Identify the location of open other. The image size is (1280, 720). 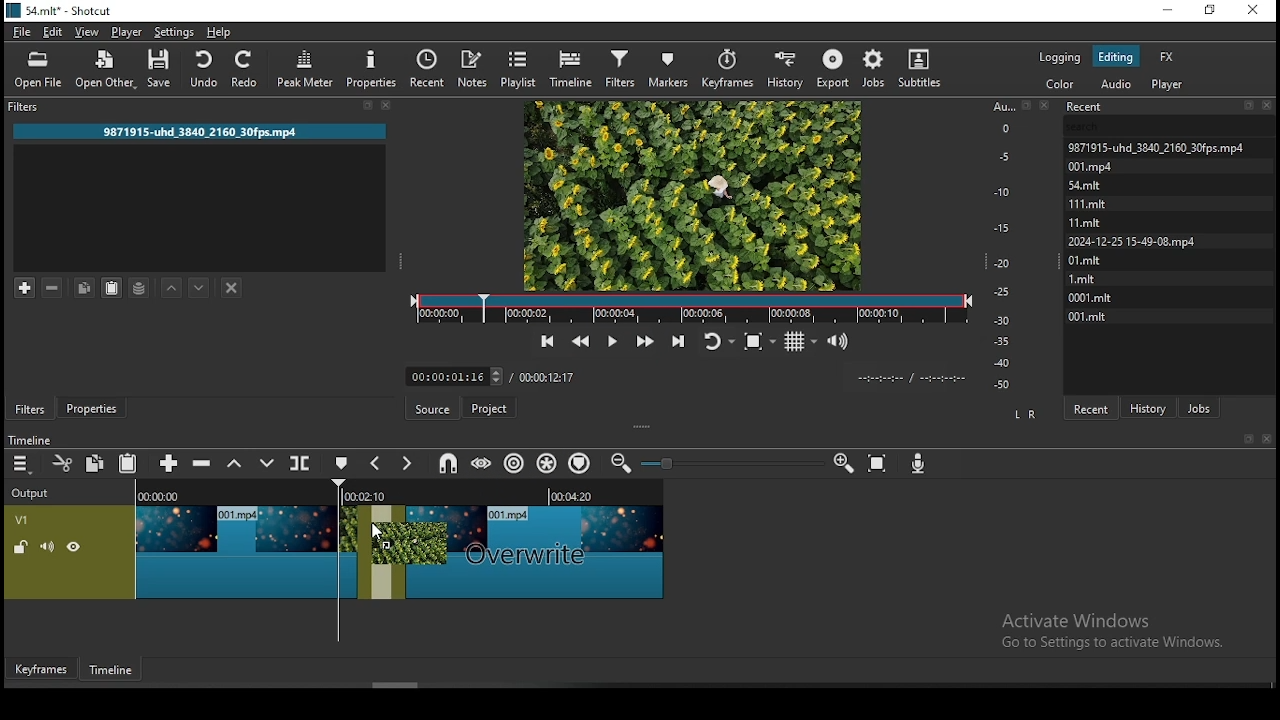
(107, 72).